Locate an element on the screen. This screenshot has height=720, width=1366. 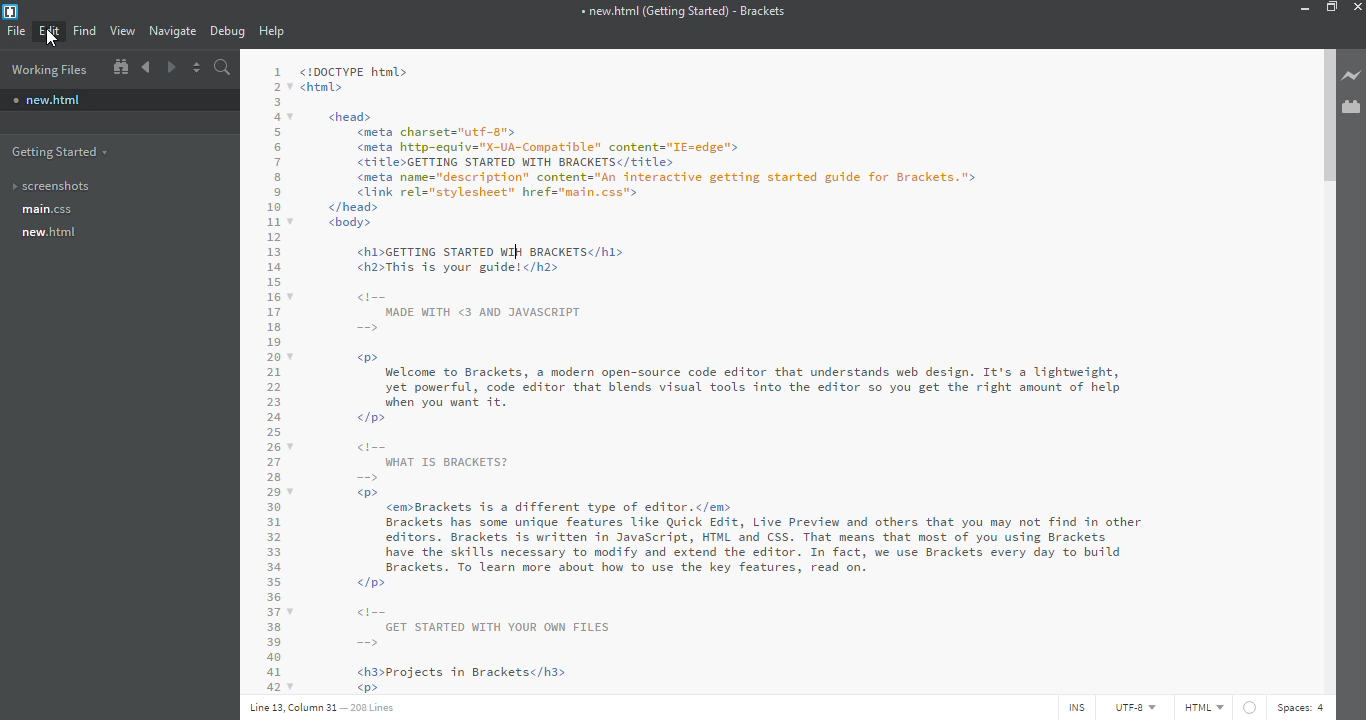
html is located at coordinates (1203, 707).